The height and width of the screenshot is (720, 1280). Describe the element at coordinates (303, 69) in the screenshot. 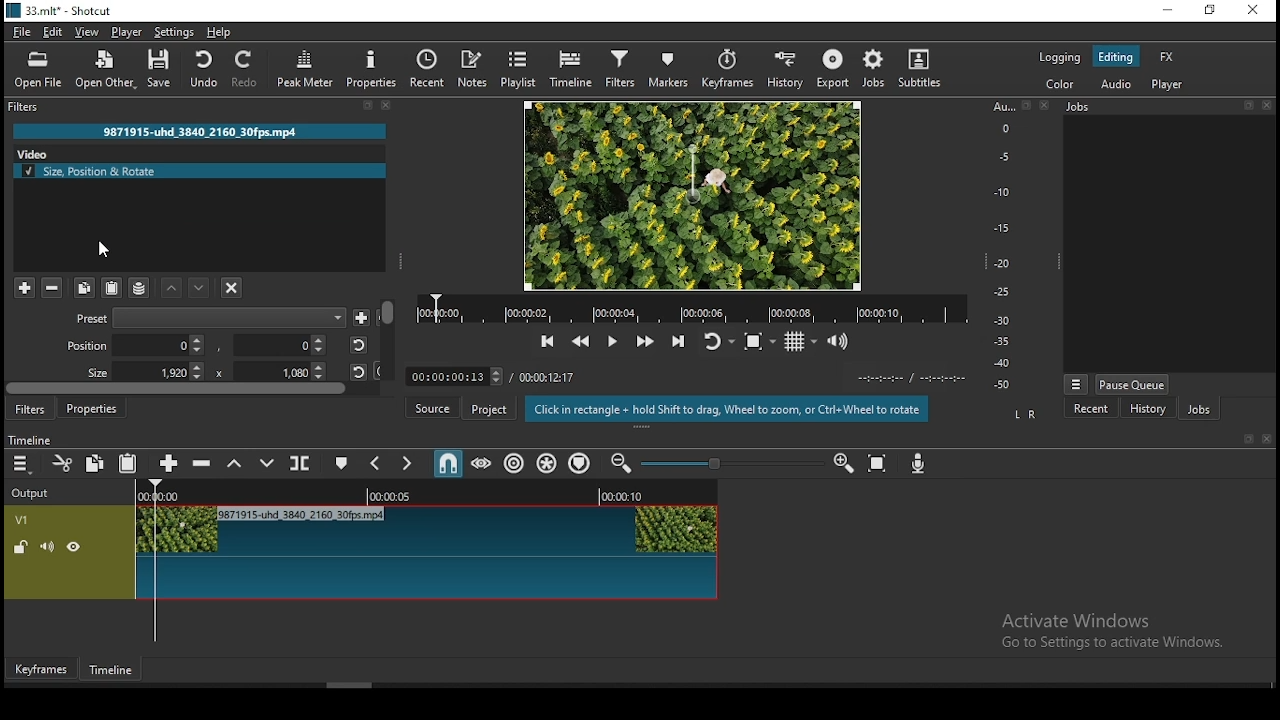

I see `peak meter` at that location.